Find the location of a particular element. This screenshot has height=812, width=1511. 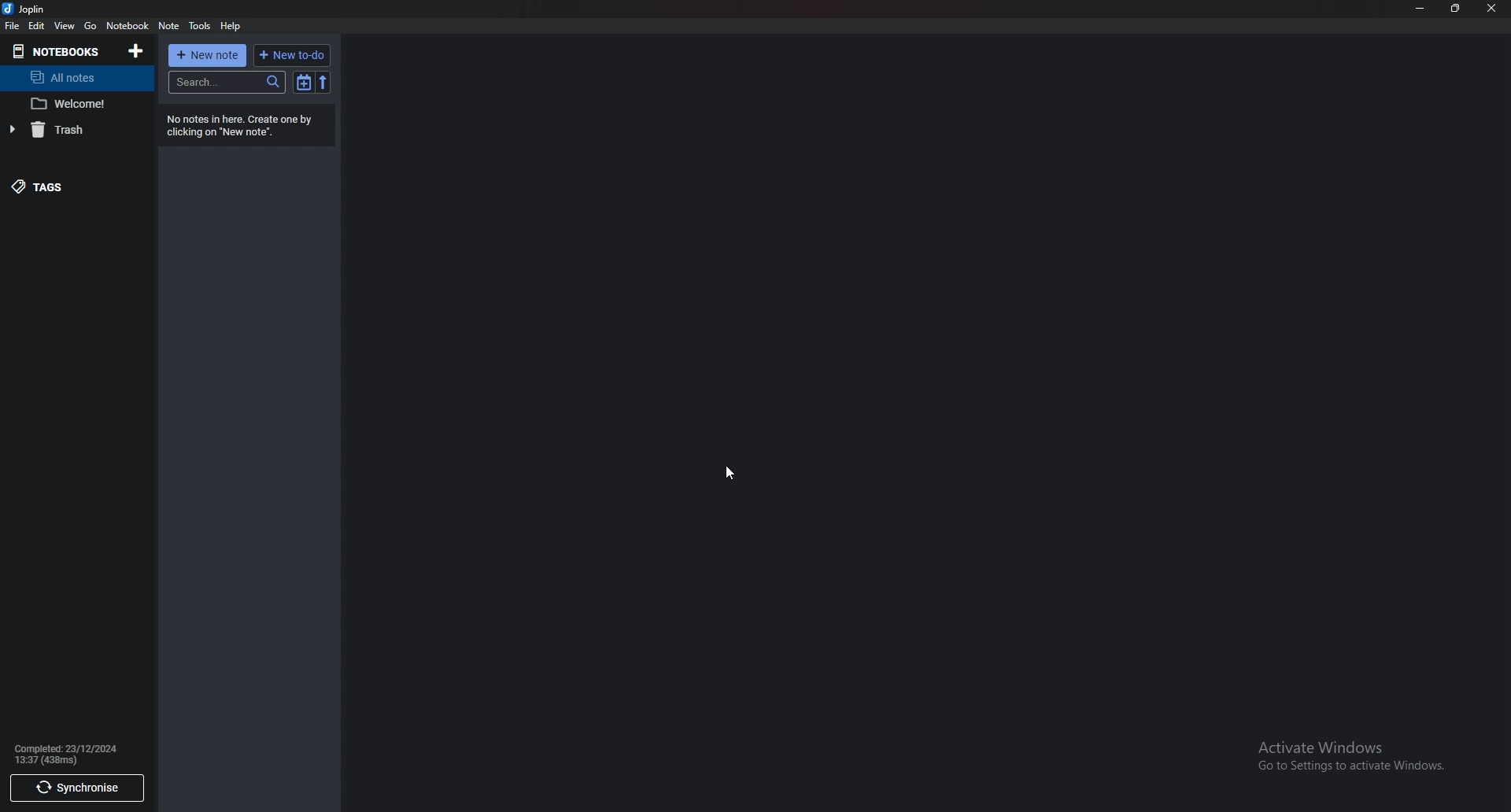

Tools is located at coordinates (200, 26).